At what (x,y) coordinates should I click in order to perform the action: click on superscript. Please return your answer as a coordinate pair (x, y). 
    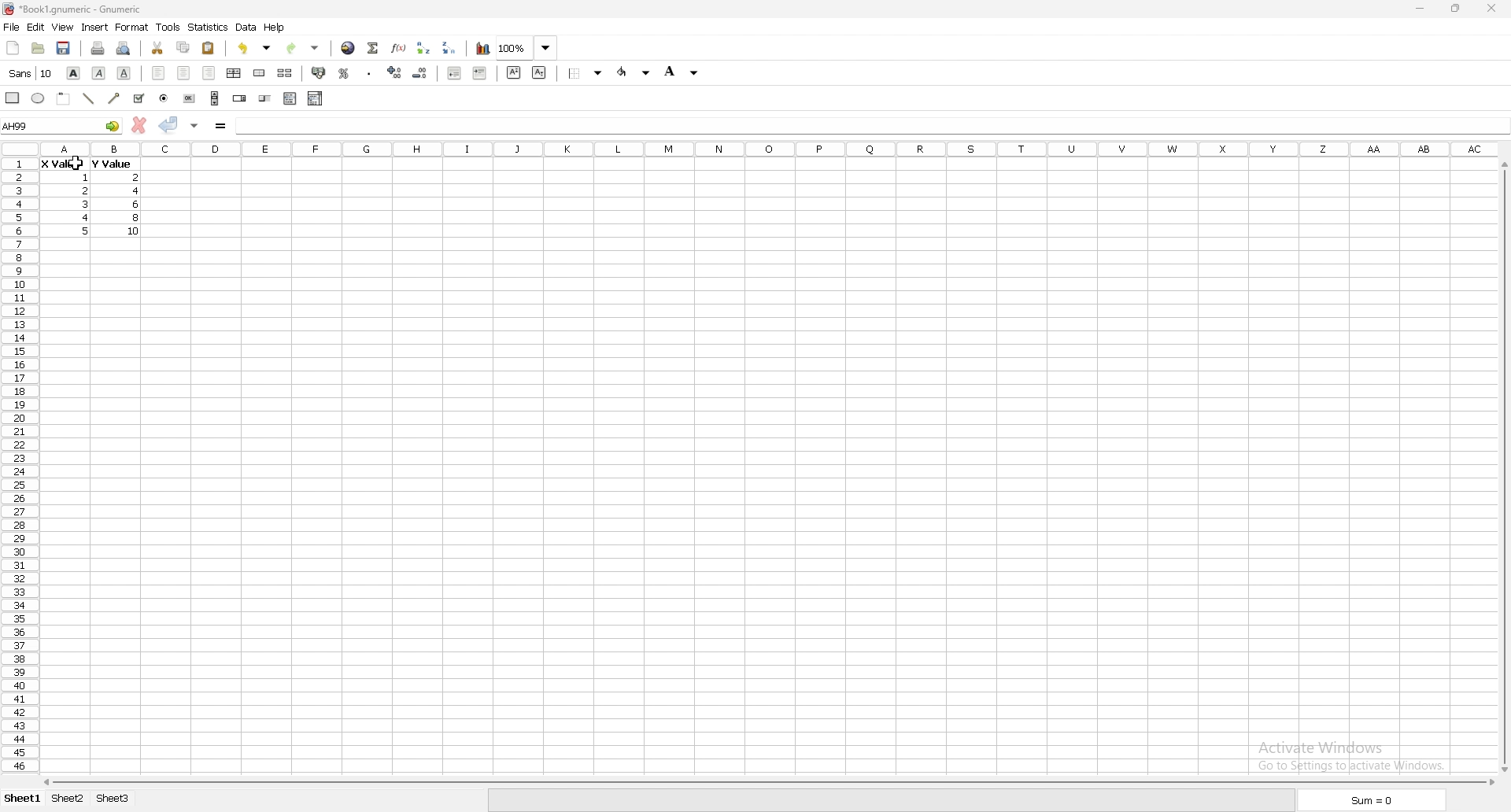
    Looking at the image, I should click on (515, 72).